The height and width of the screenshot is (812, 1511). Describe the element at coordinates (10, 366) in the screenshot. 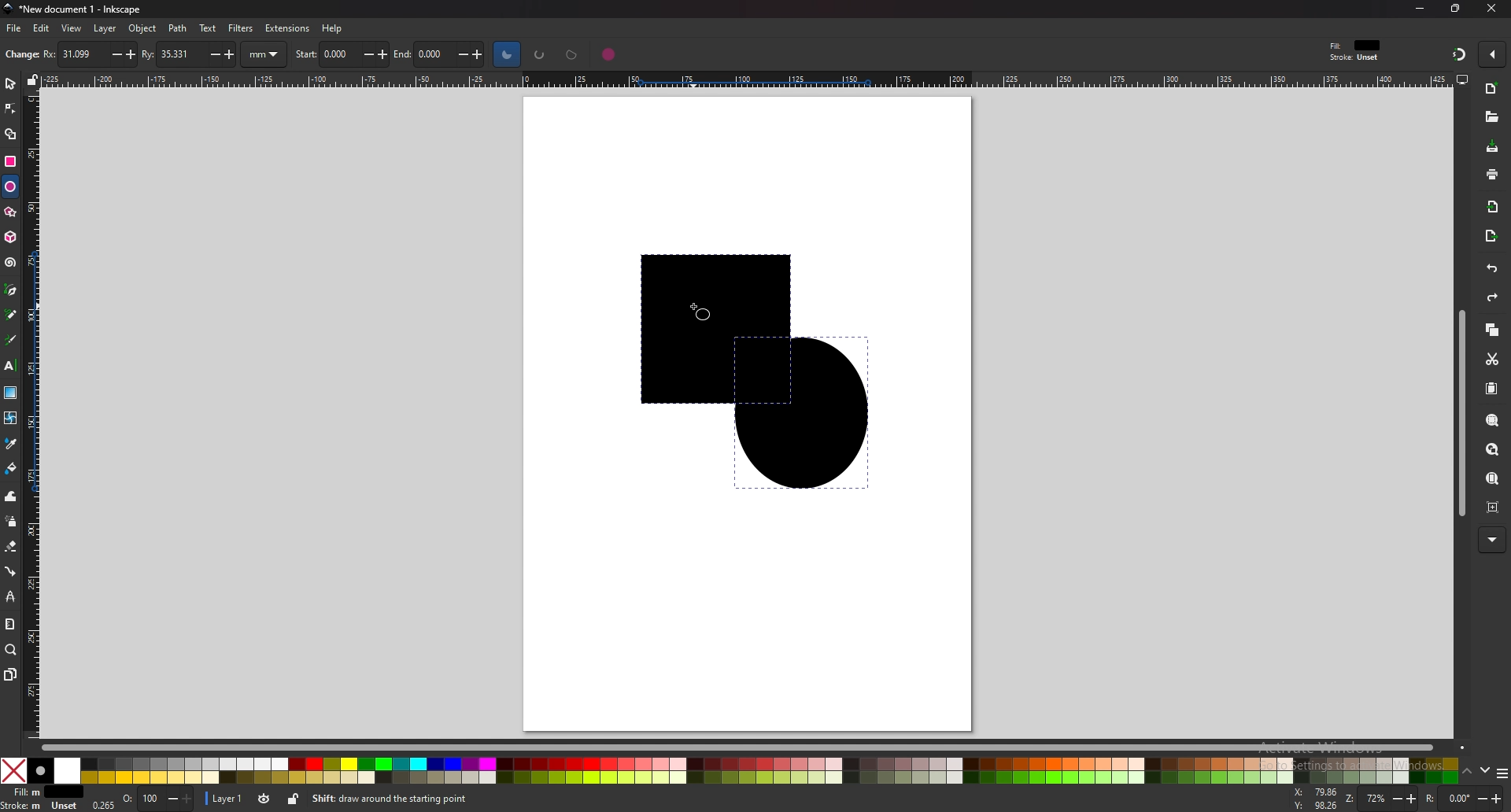

I see `text` at that location.